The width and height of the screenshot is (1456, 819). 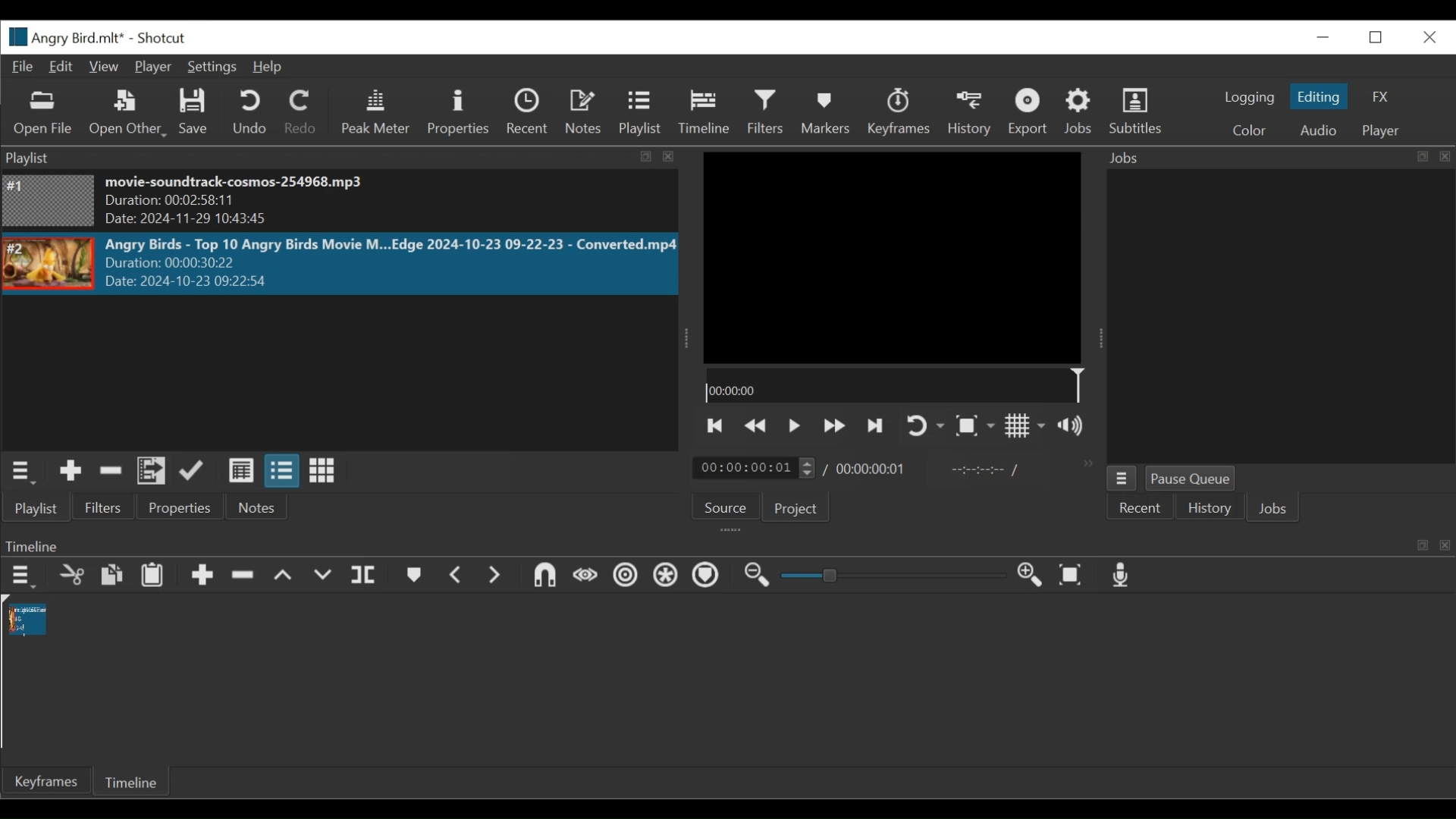 What do you see at coordinates (1319, 97) in the screenshot?
I see `Editing` at bounding box center [1319, 97].